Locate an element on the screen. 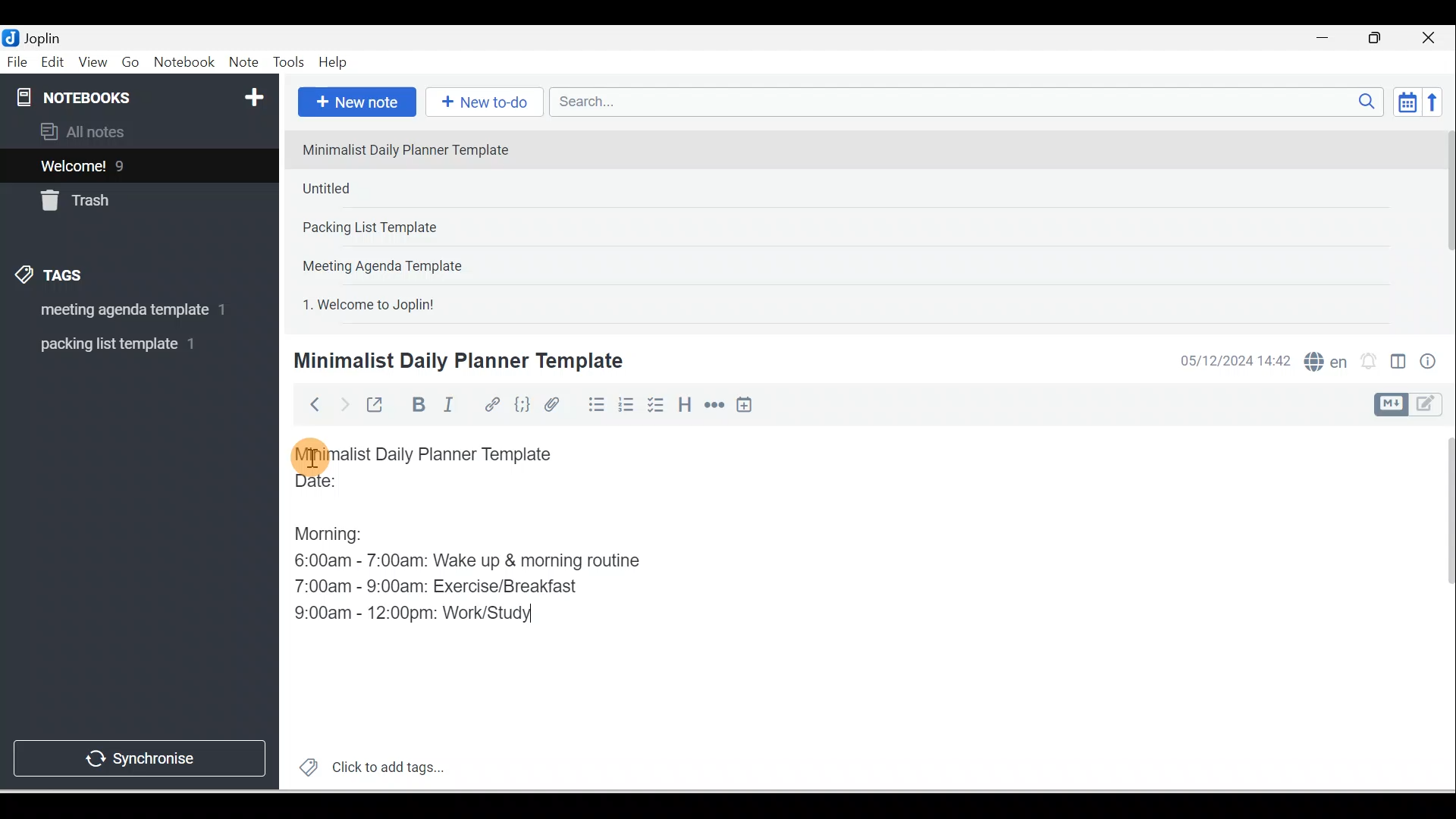 Image resolution: width=1456 pixels, height=819 pixels. Scroll bar is located at coordinates (1439, 608).